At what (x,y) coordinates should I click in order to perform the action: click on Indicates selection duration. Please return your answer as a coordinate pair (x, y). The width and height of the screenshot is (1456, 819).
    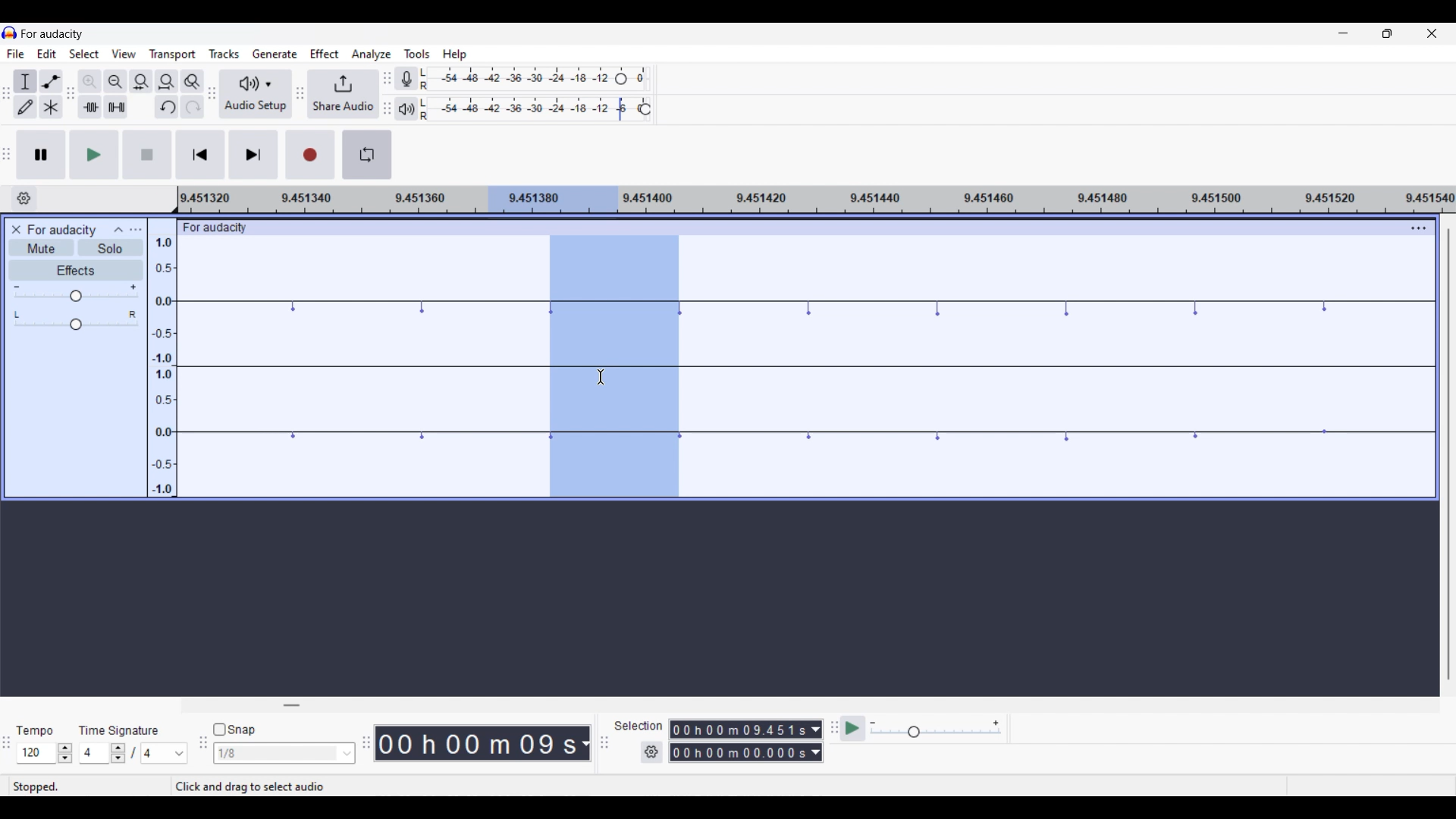
    Looking at the image, I should click on (638, 726).